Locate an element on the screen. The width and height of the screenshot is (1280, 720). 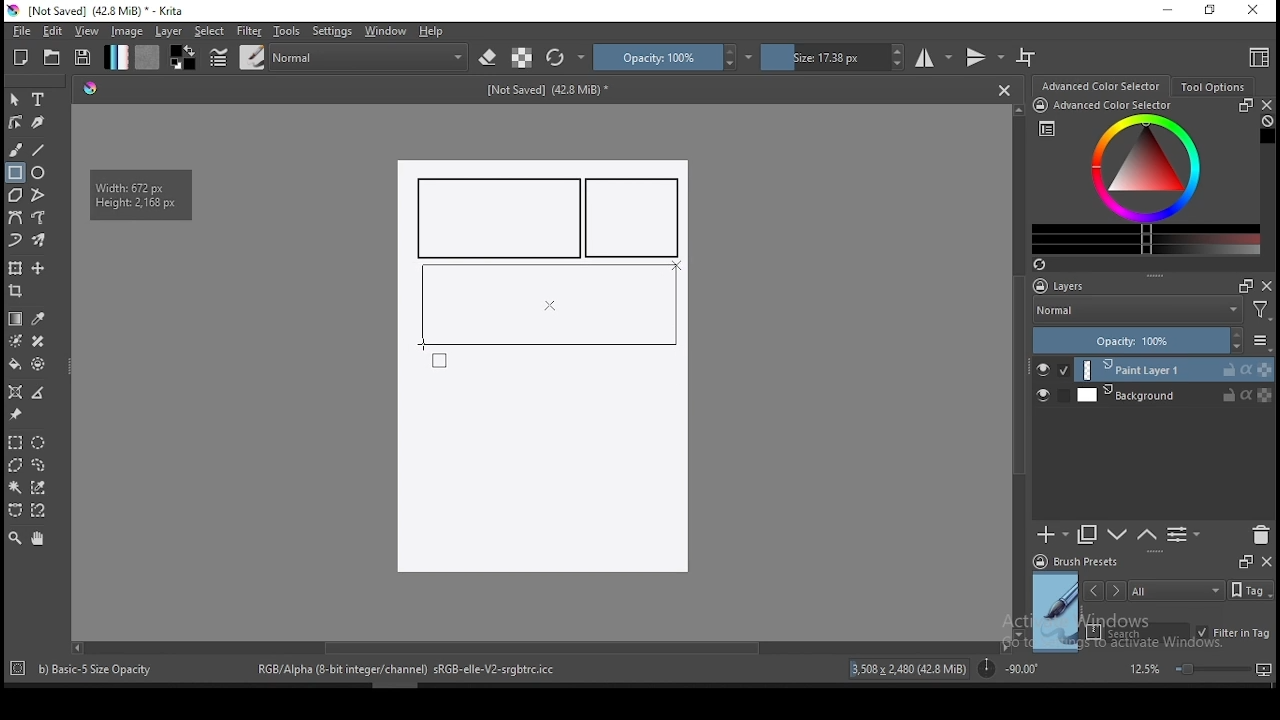
magnetic curve selection tool is located at coordinates (36, 510).